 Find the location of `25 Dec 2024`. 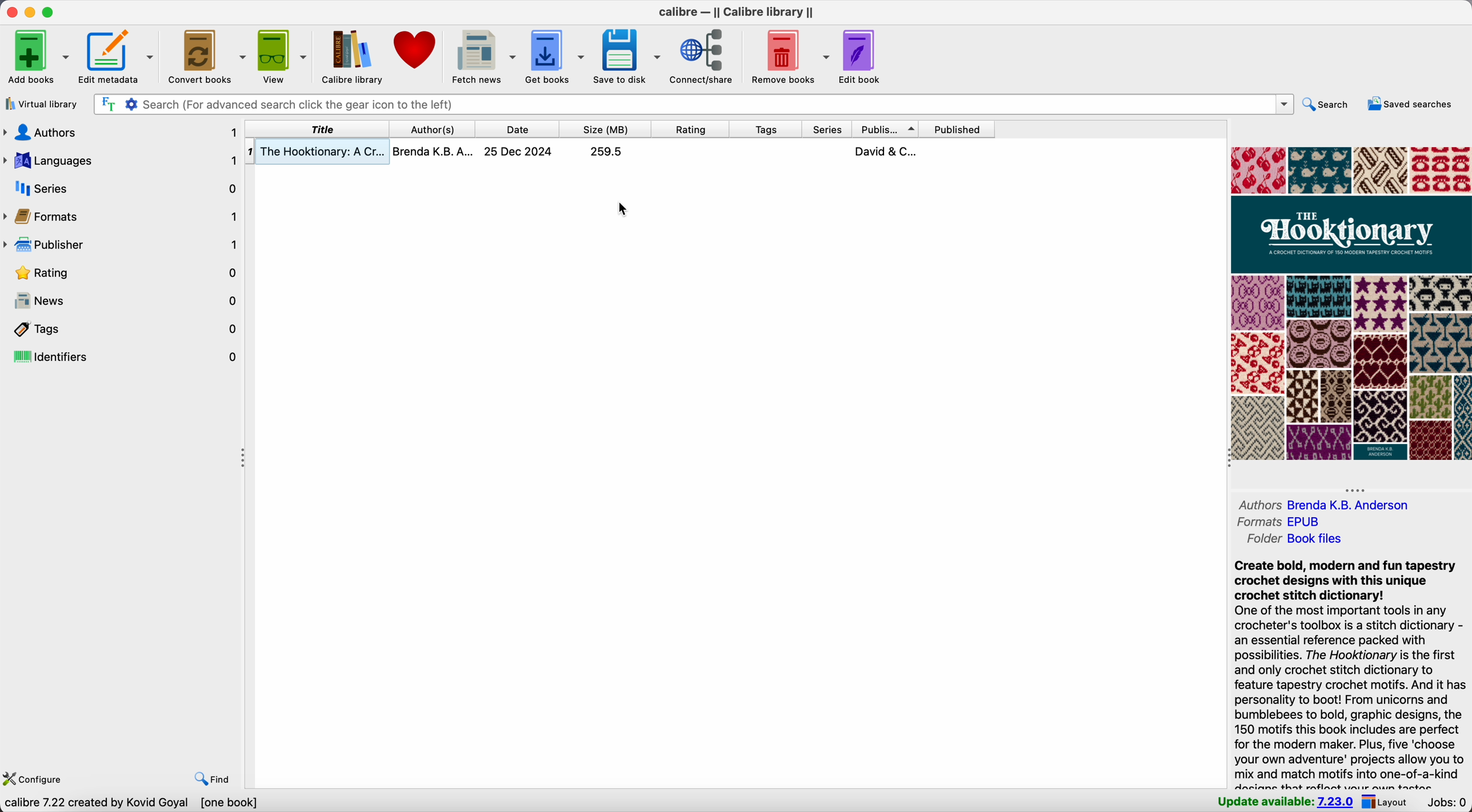

25 Dec 2024 is located at coordinates (519, 151).